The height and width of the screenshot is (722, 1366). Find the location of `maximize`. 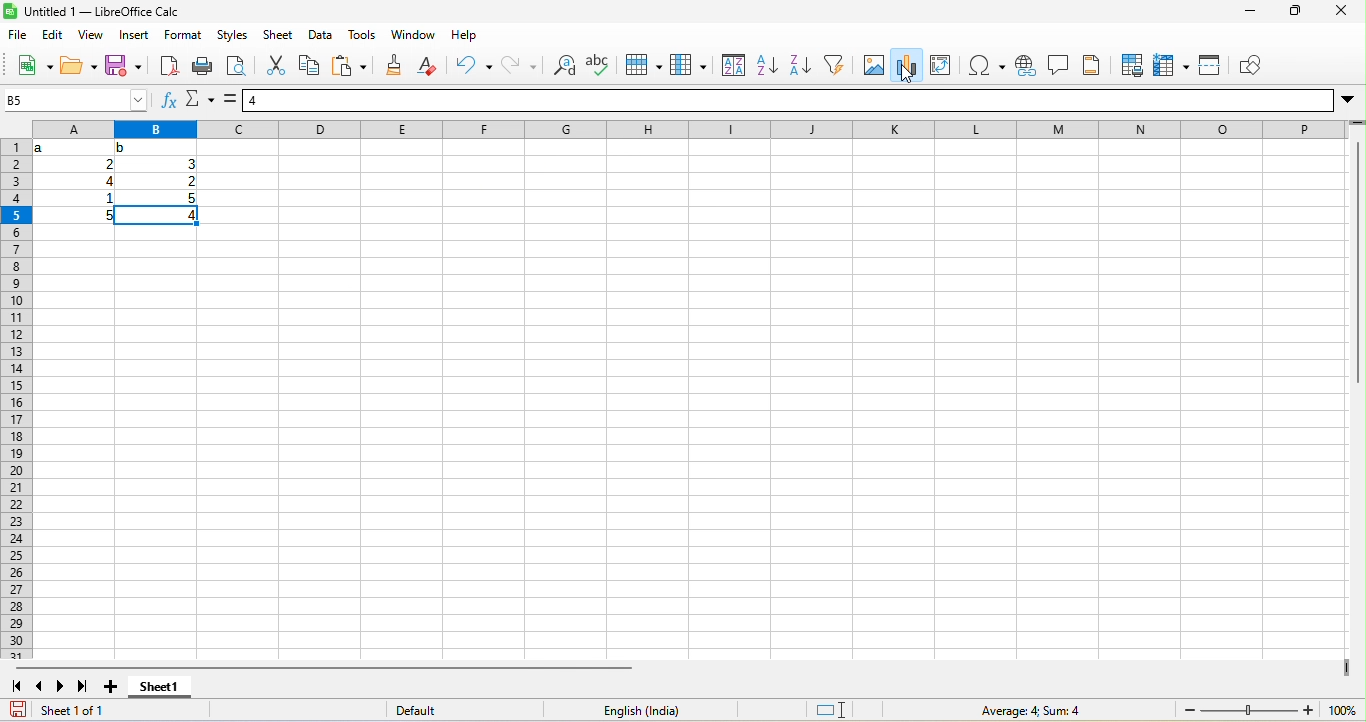

maximize is located at coordinates (1295, 10).